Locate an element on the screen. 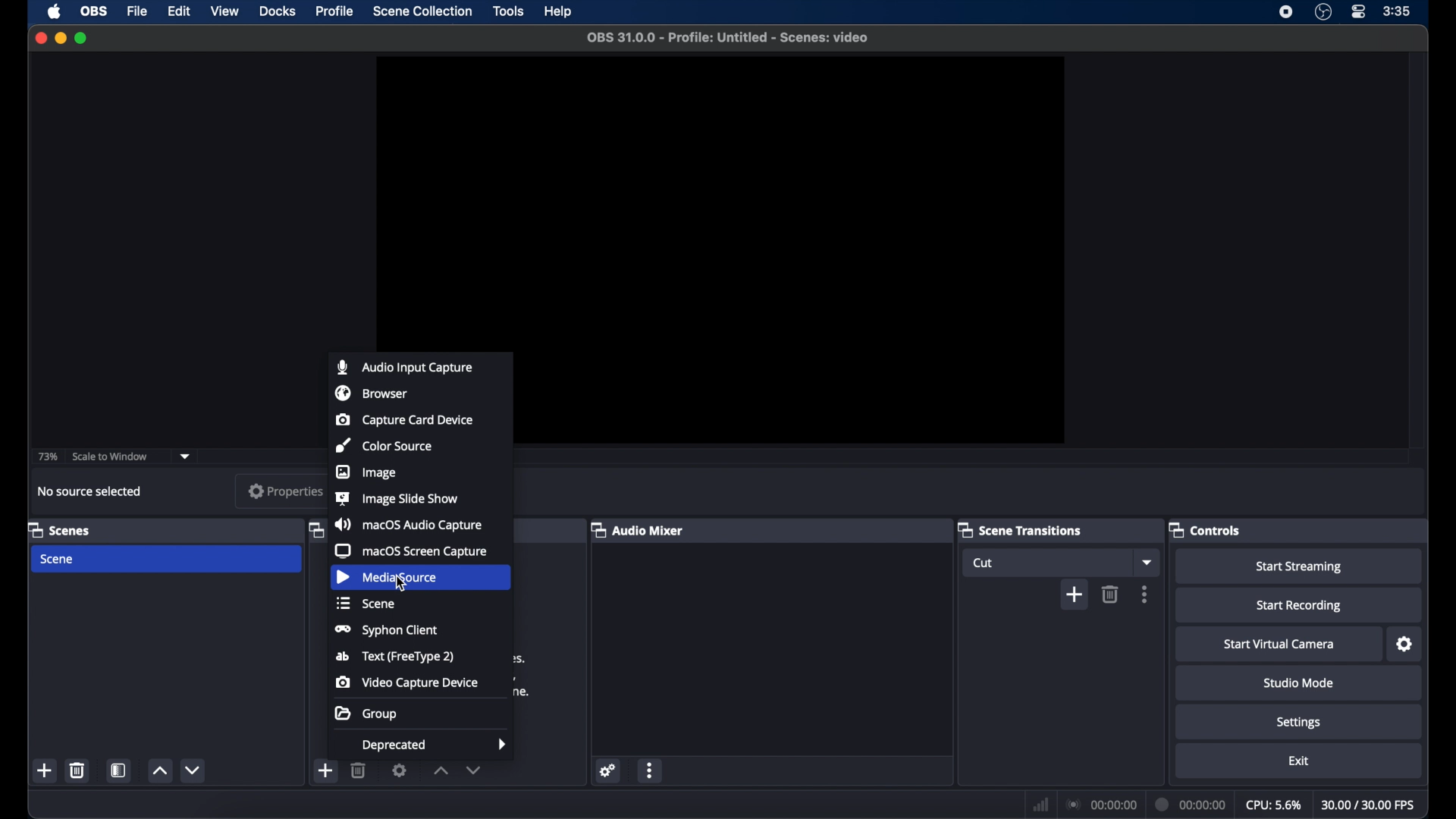  audio input capture is located at coordinates (402, 366).